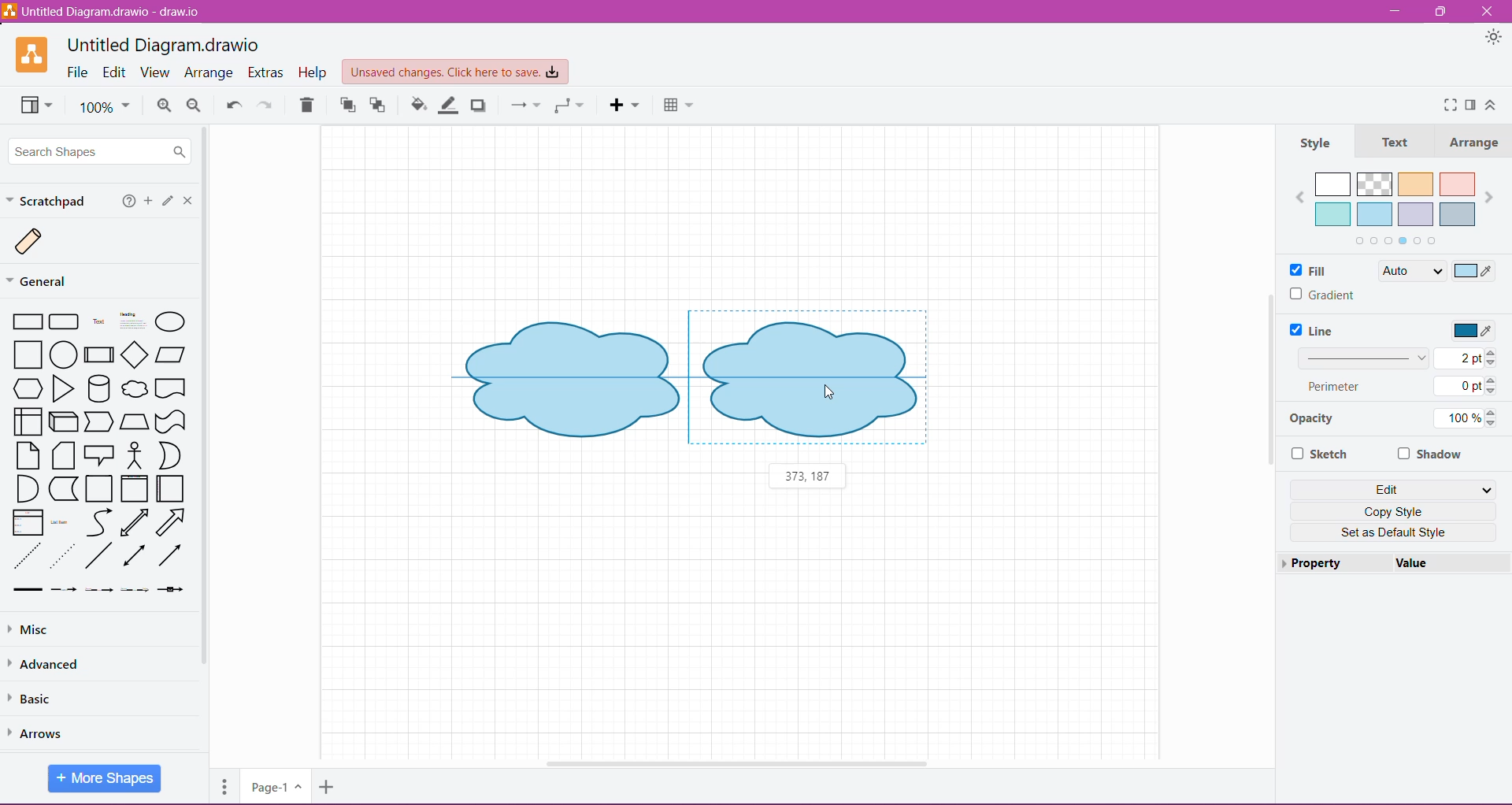 The width and height of the screenshot is (1512, 805). What do you see at coordinates (162, 106) in the screenshot?
I see `Zoom In` at bounding box center [162, 106].